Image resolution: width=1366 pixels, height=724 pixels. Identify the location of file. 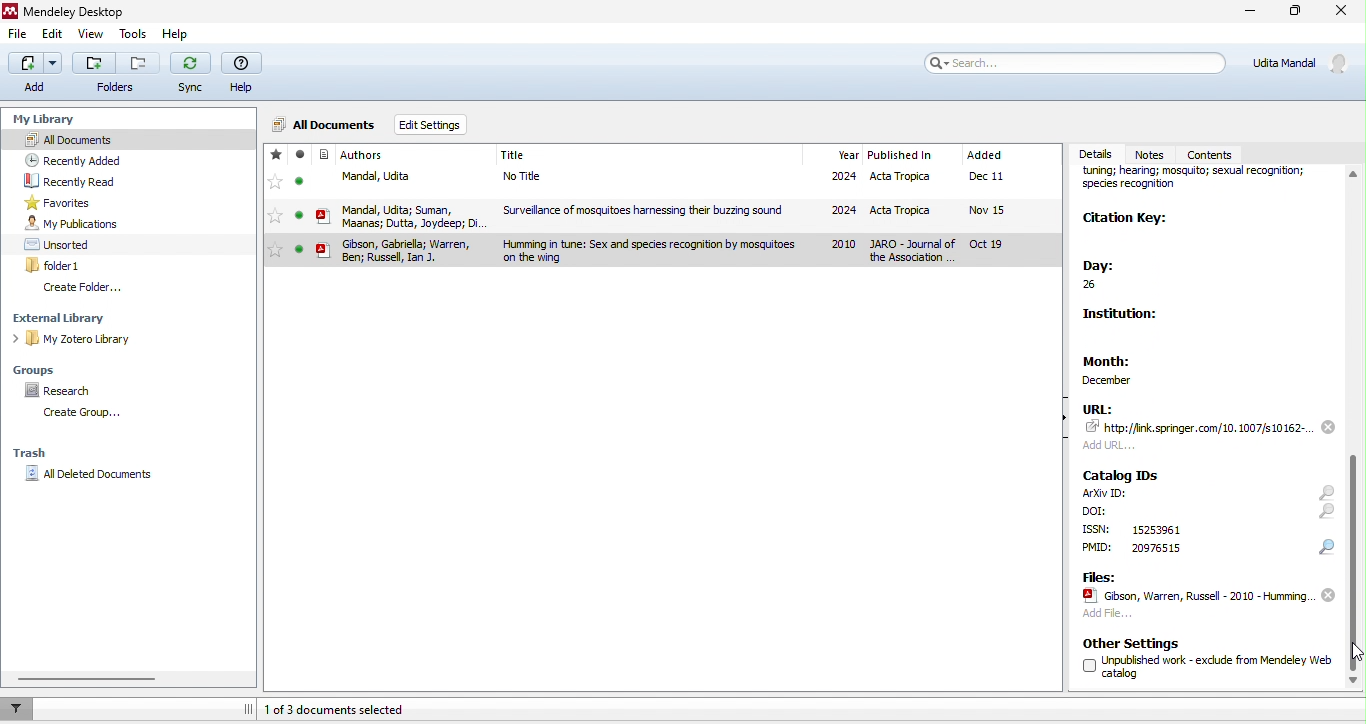
(700, 179).